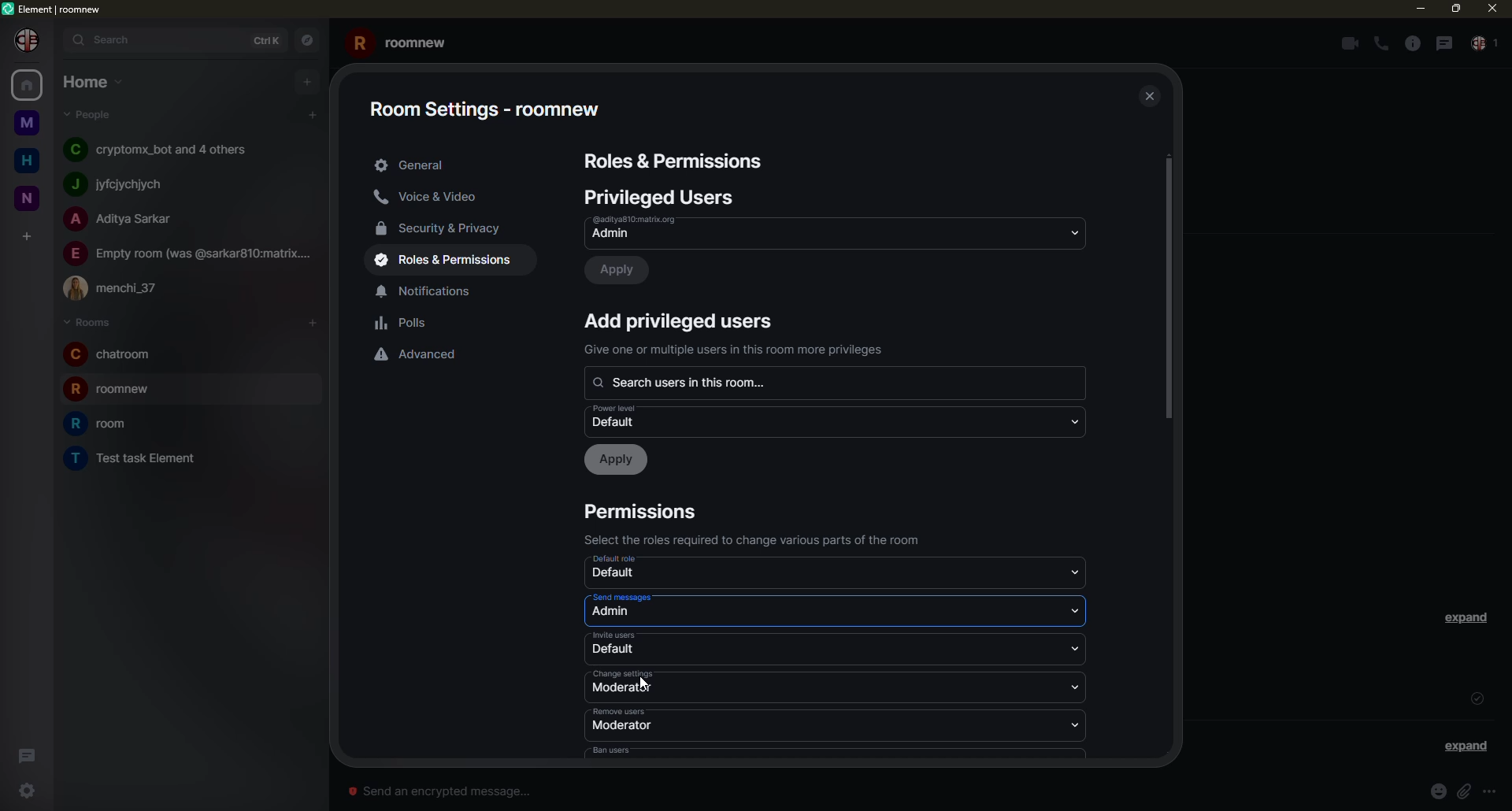 Image resolution: width=1512 pixels, height=811 pixels. What do you see at coordinates (54, 7) in the screenshot?
I see `element` at bounding box center [54, 7].